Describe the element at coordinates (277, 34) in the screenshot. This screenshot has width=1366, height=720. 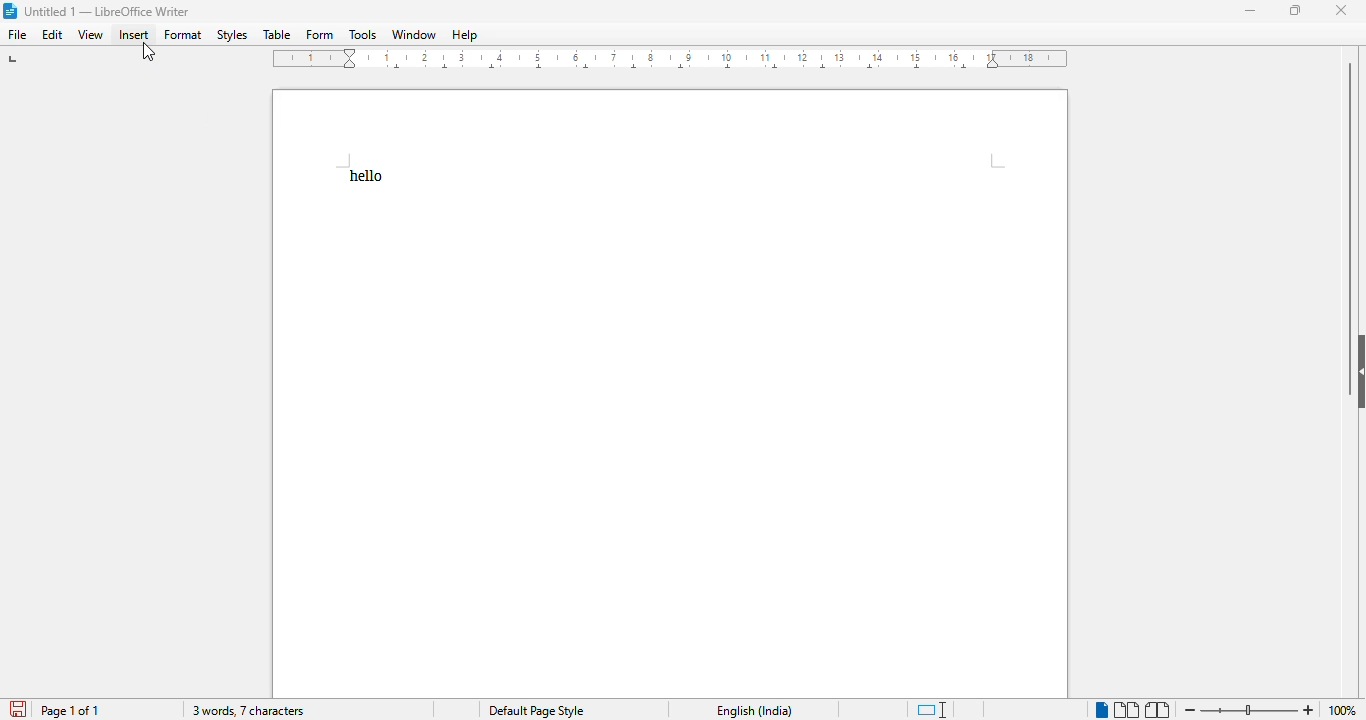
I see `table` at that location.